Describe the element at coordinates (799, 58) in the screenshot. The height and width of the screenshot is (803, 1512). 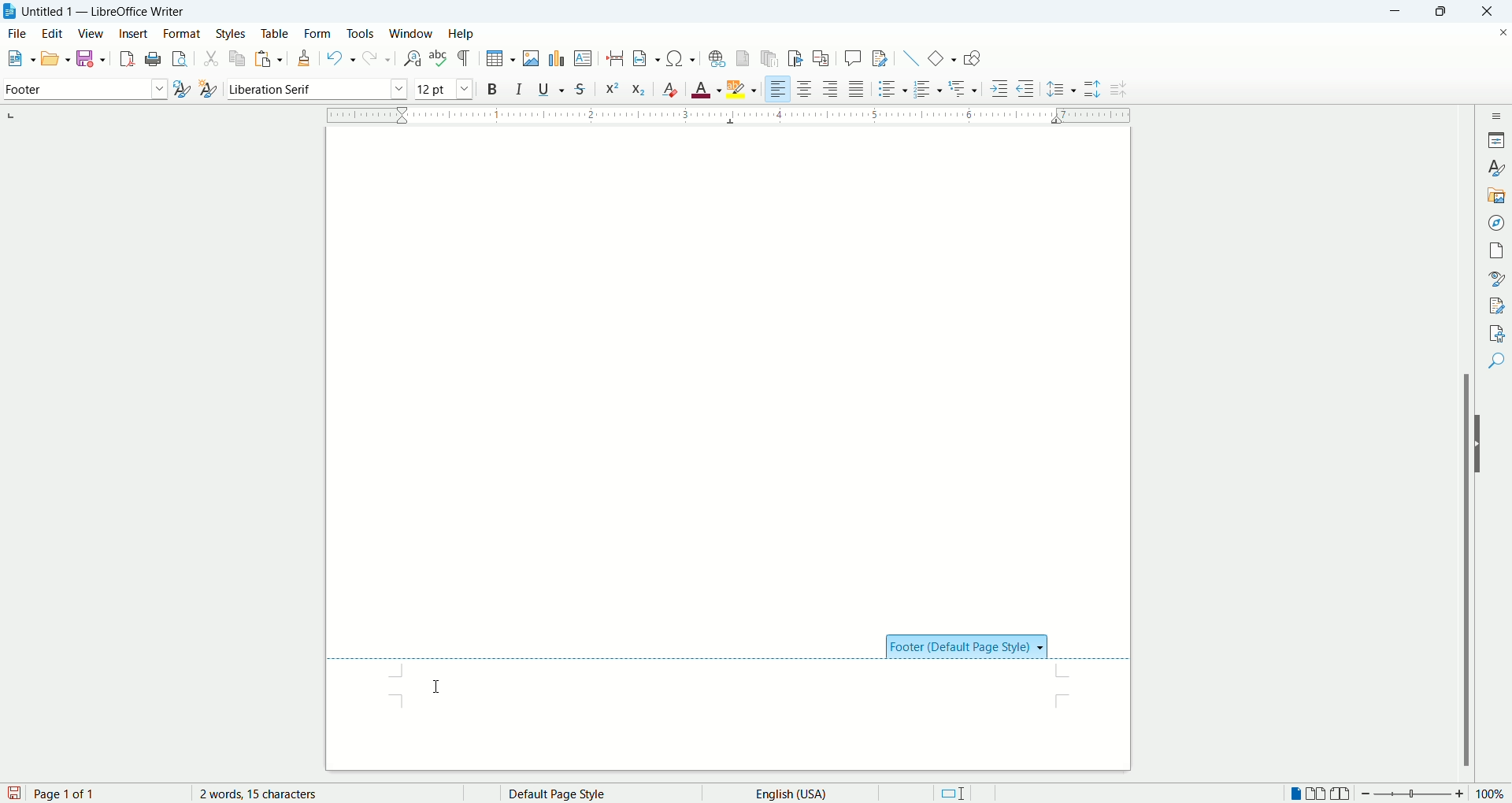
I see `insert bookmark` at that location.